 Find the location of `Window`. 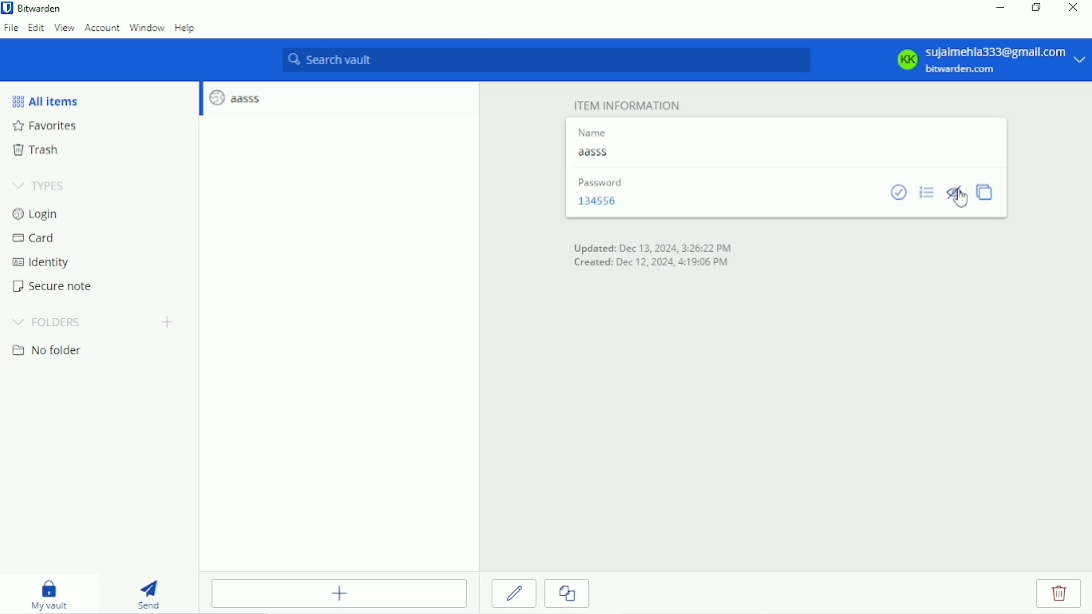

Window is located at coordinates (147, 28).